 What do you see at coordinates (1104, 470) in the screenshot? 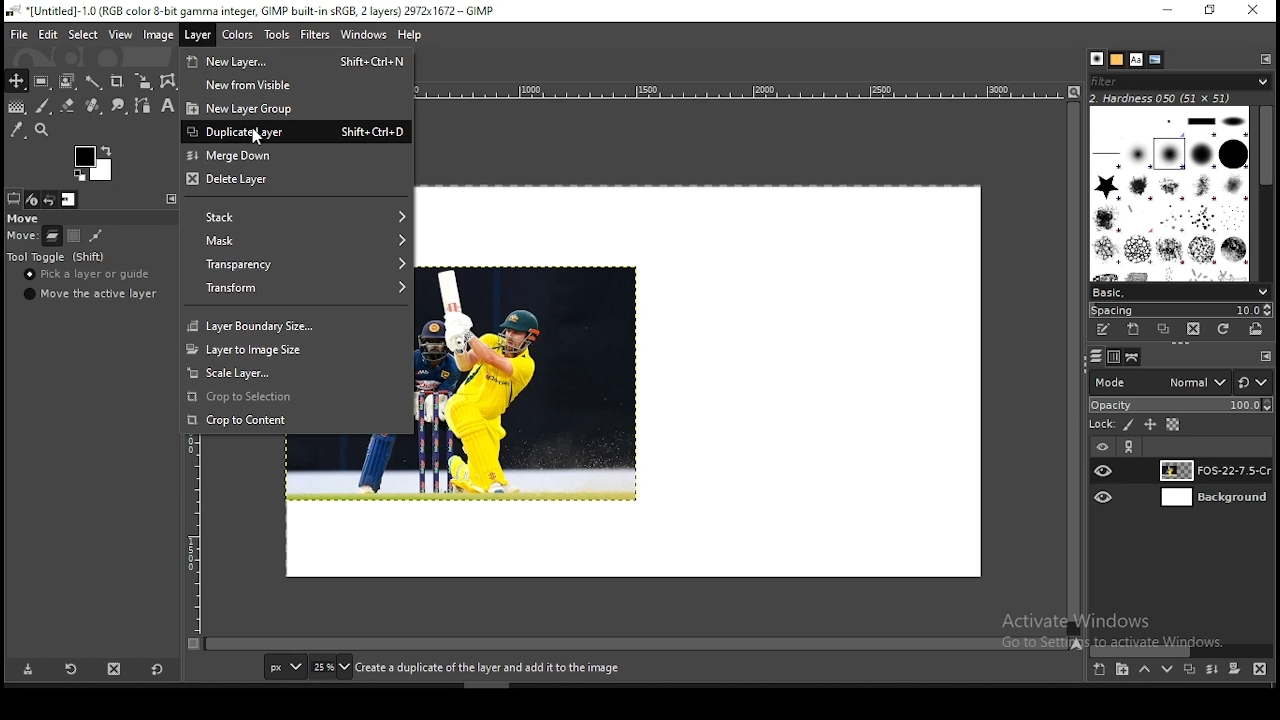
I see `layer visibility on/off` at bounding box center [1104, 470].